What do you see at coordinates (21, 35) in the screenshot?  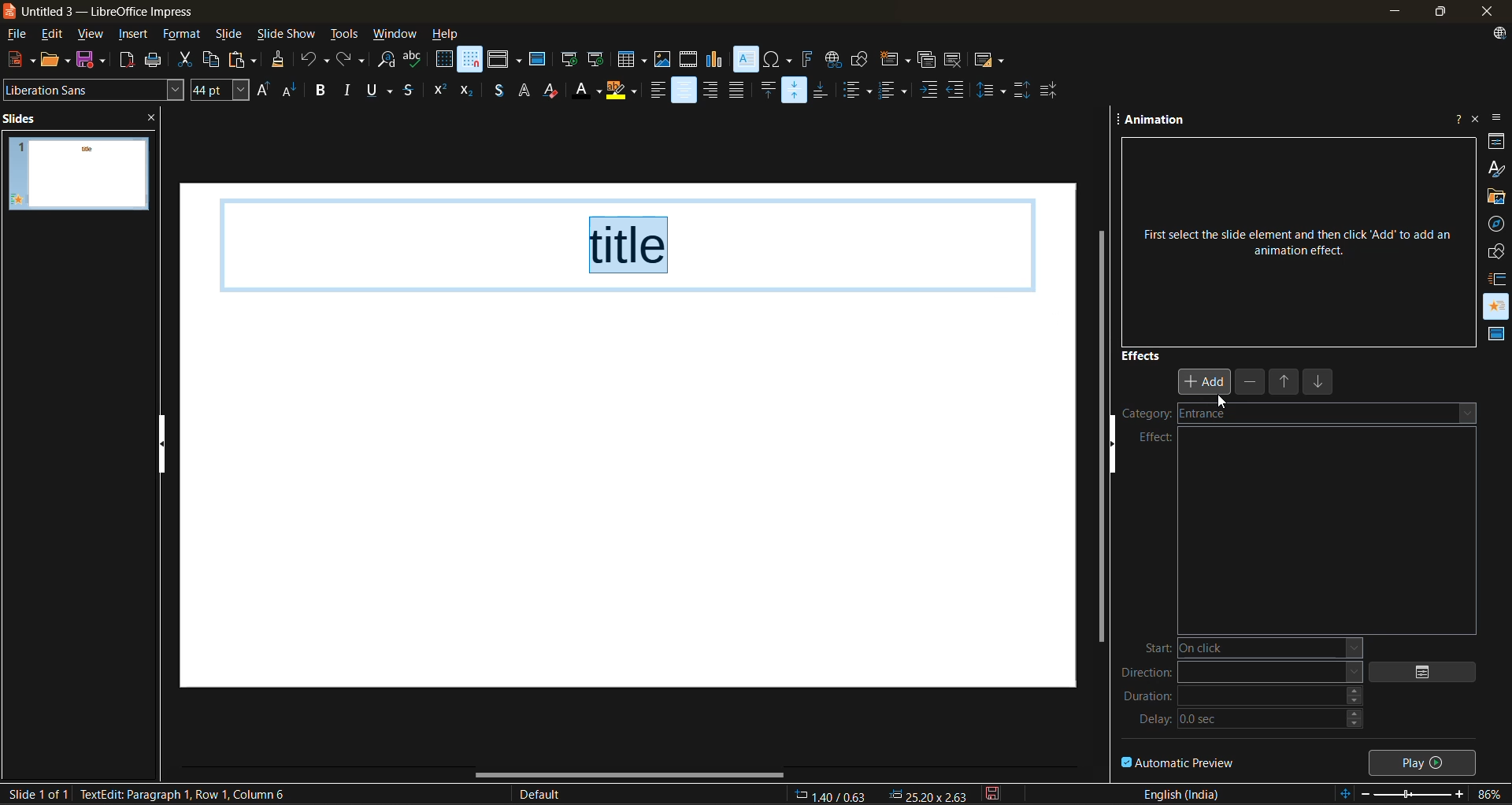 I see `file` at bounding box center [21, 35].